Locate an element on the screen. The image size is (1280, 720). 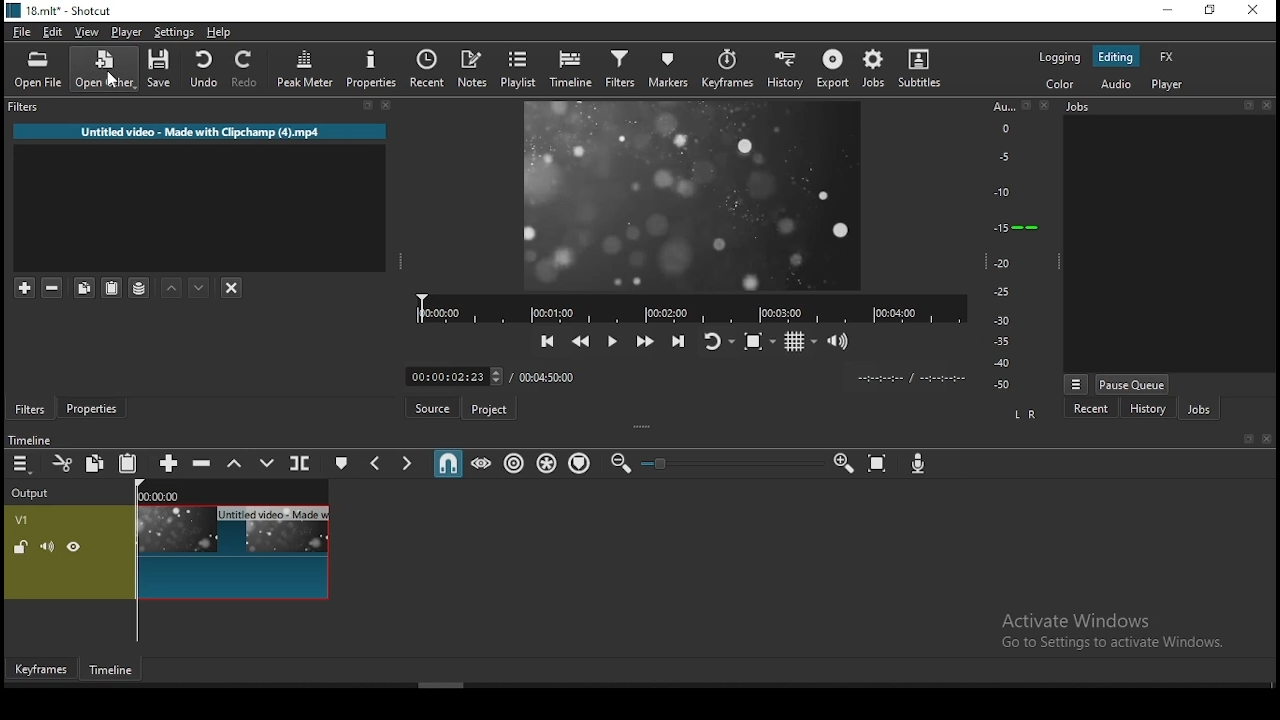
minimize is located at coordinates (1167, 11).